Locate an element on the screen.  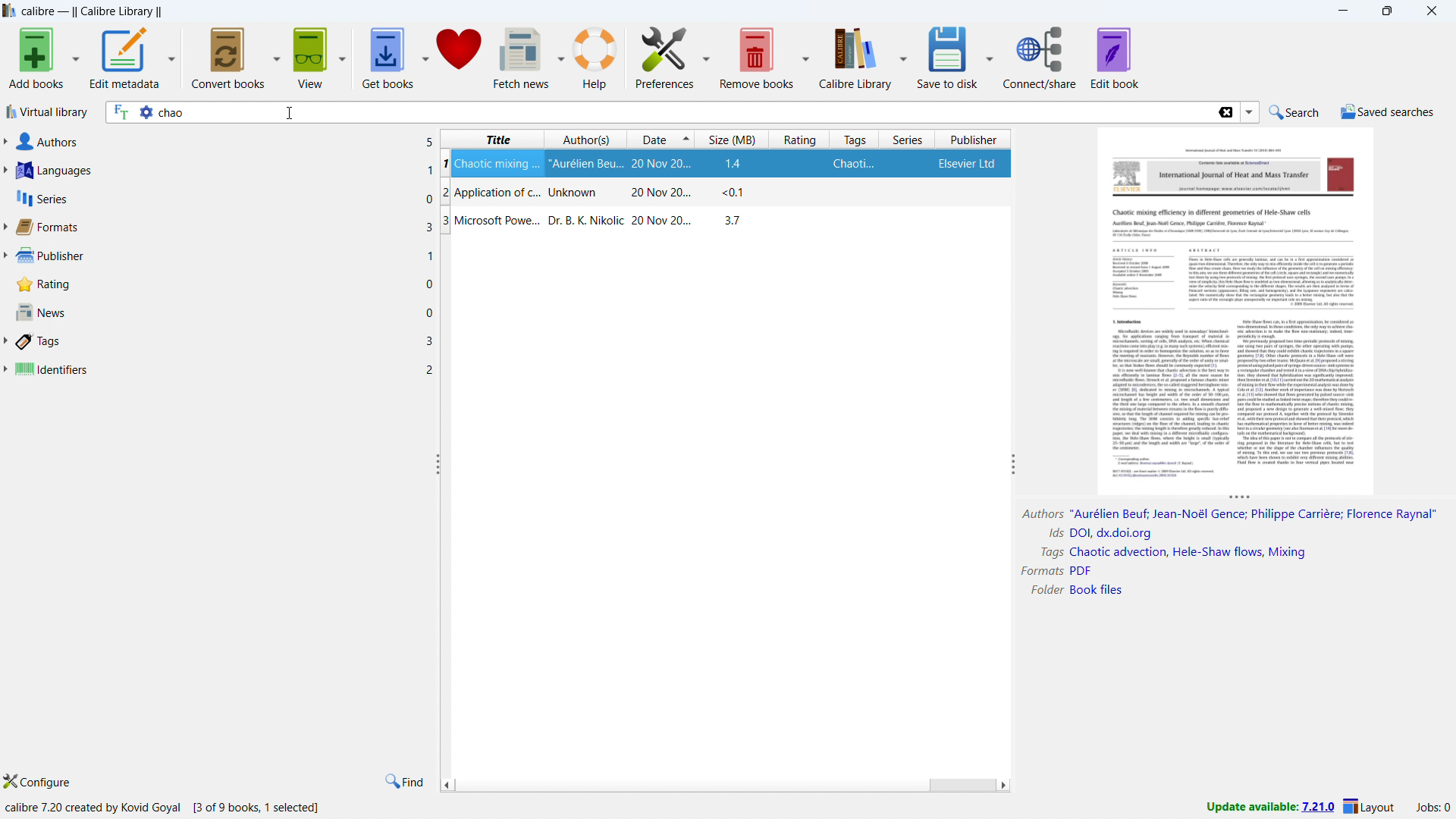
configure is located at coordinates (39, 782).